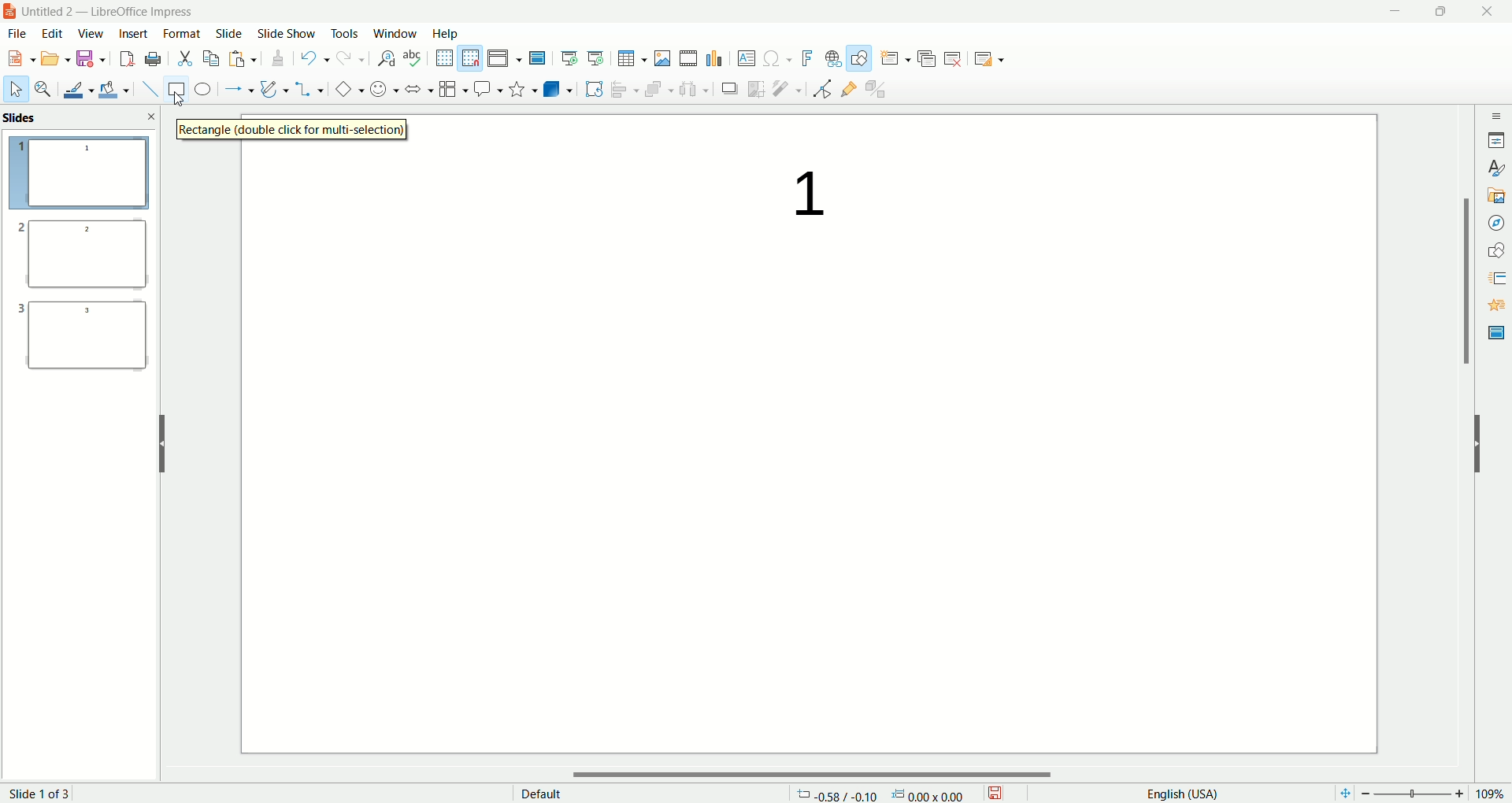 This screenshot has height=803, width=1512. Describe the element at coordinates (346, 37) in the screenshot. I see `tools` at that location.